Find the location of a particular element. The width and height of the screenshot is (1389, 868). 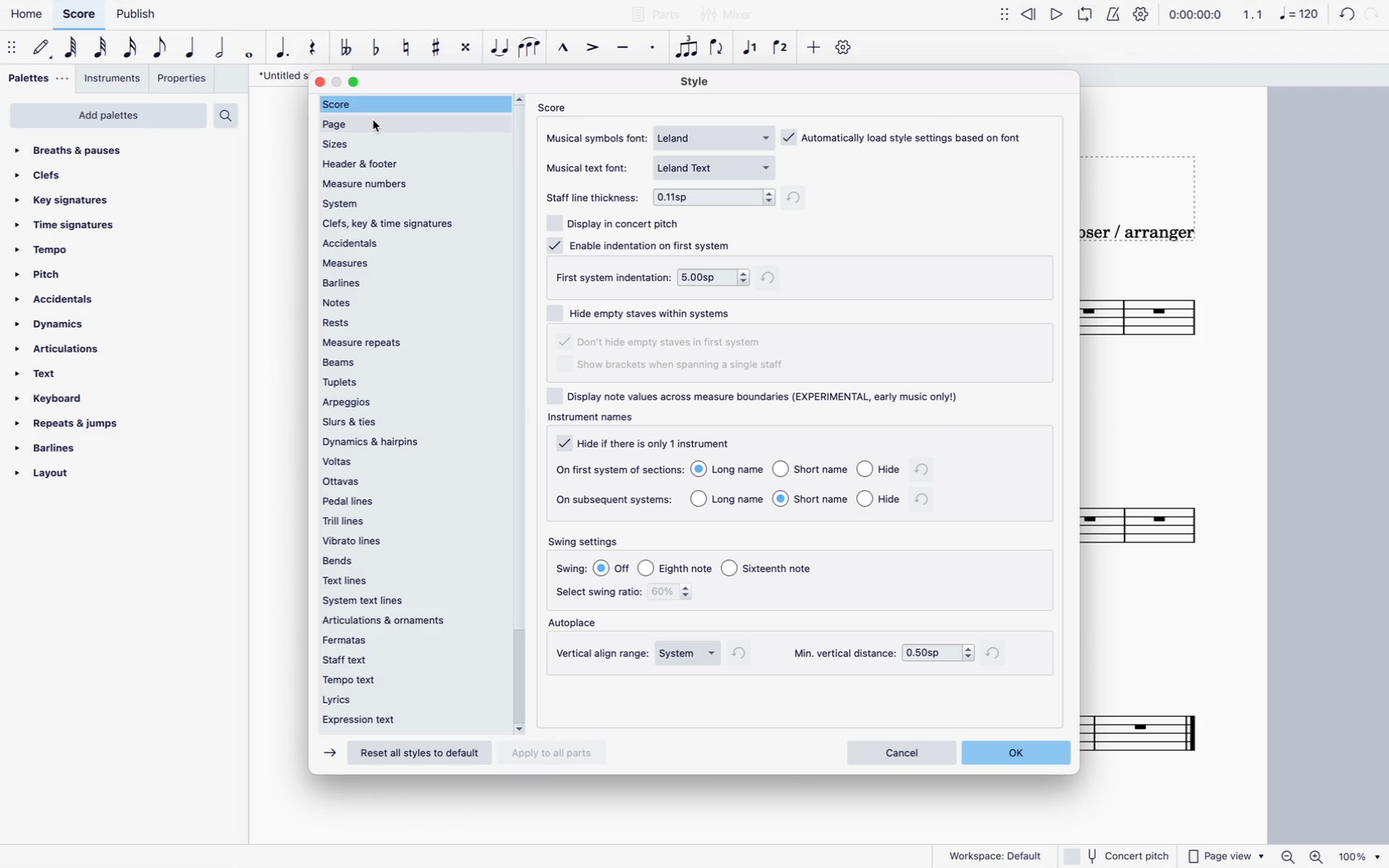

score title is located at coordinates (275, 76).